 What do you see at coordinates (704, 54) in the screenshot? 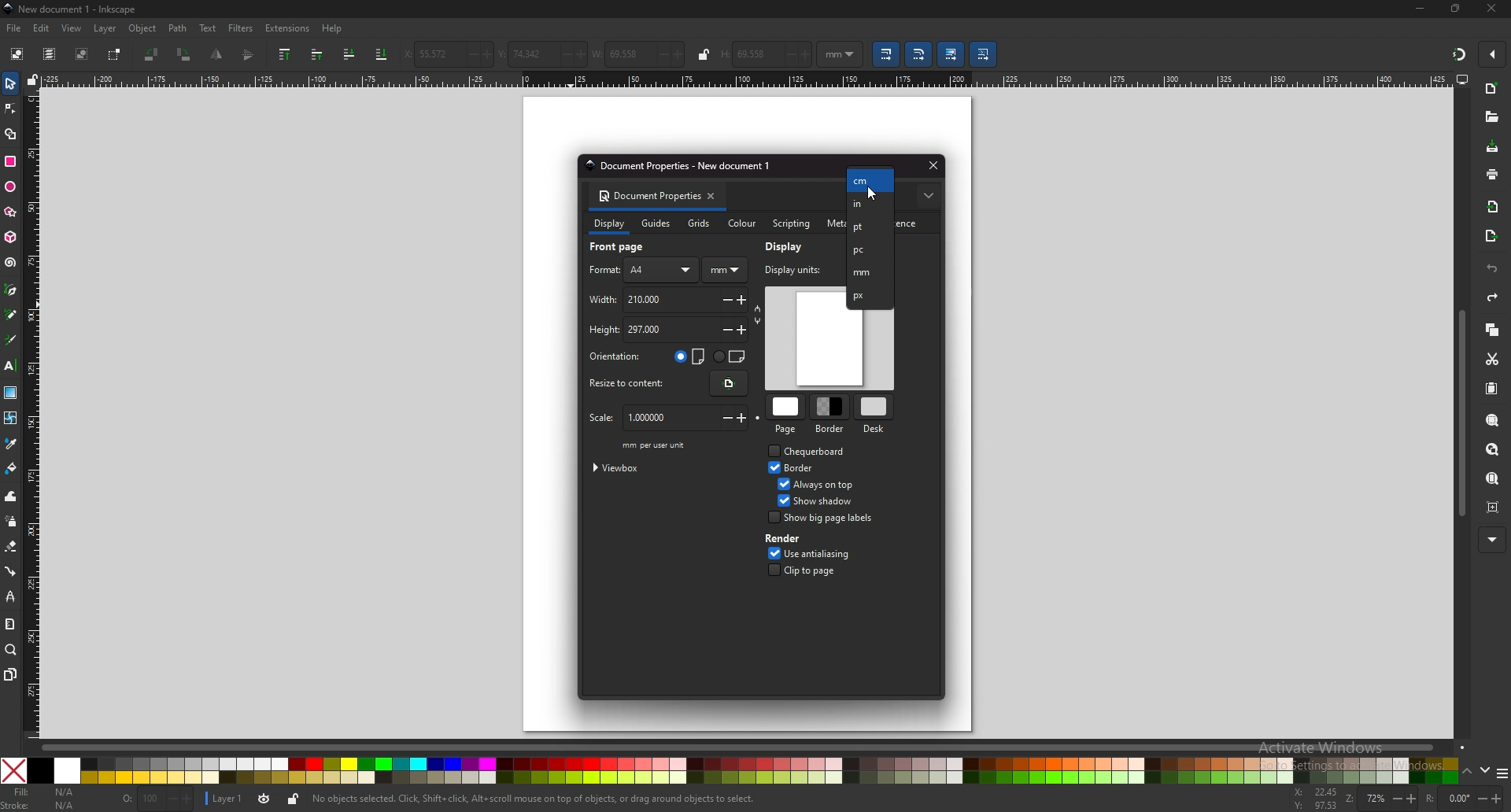
I see `lock` at bounding box center [704, 54].